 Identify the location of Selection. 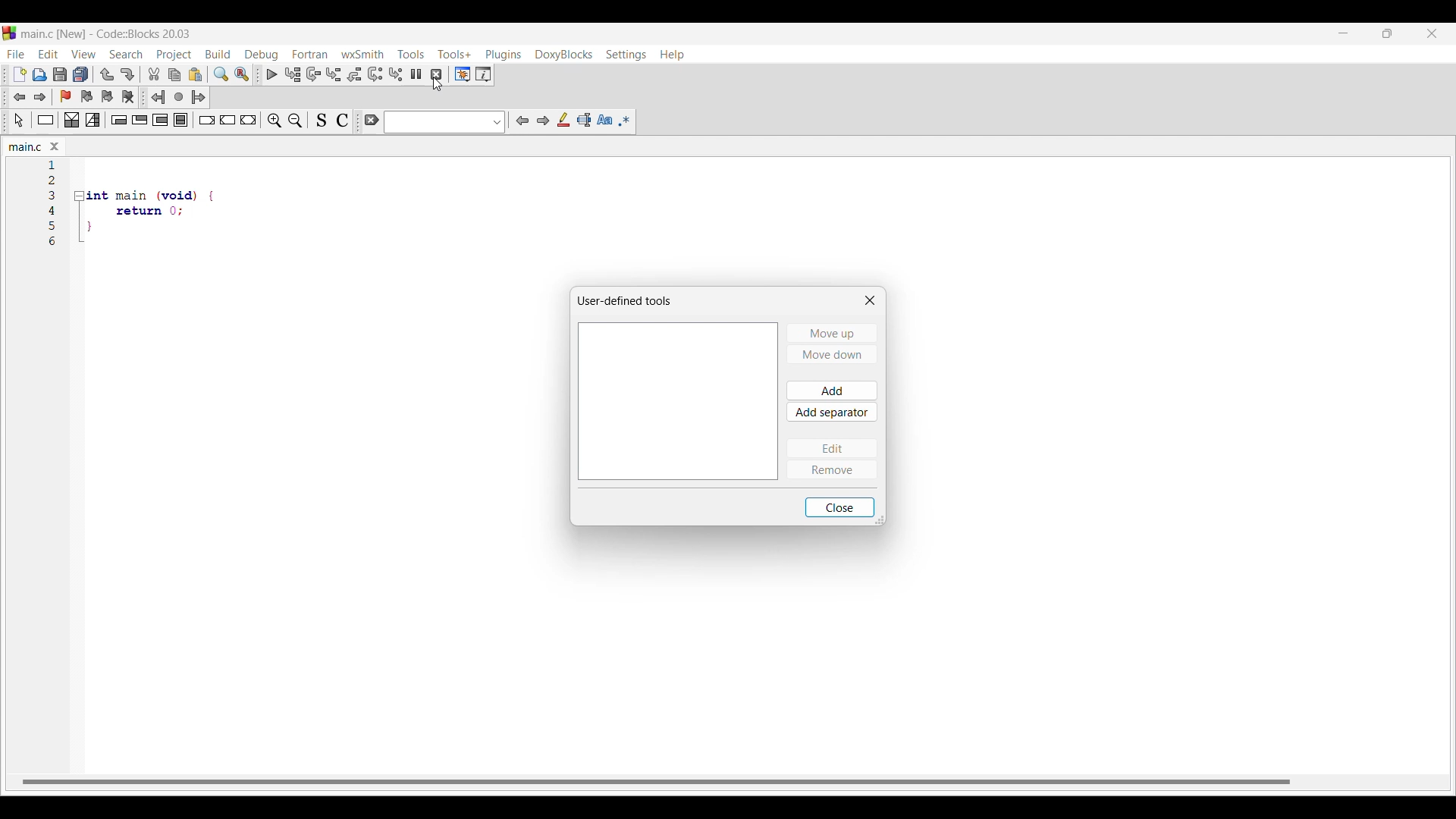
(93, 120).